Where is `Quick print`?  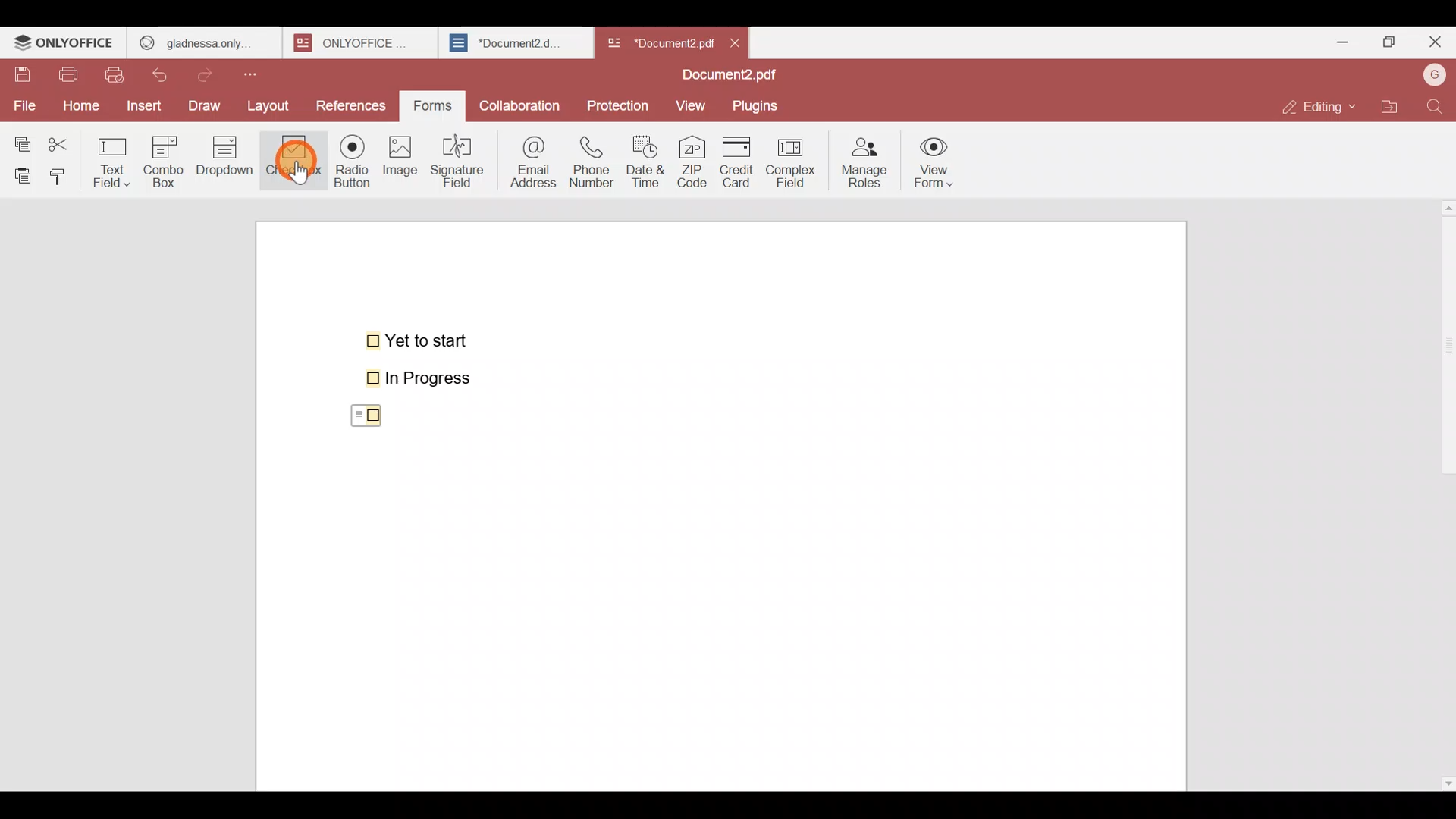
Quick print is located at coordinates (119, 74).